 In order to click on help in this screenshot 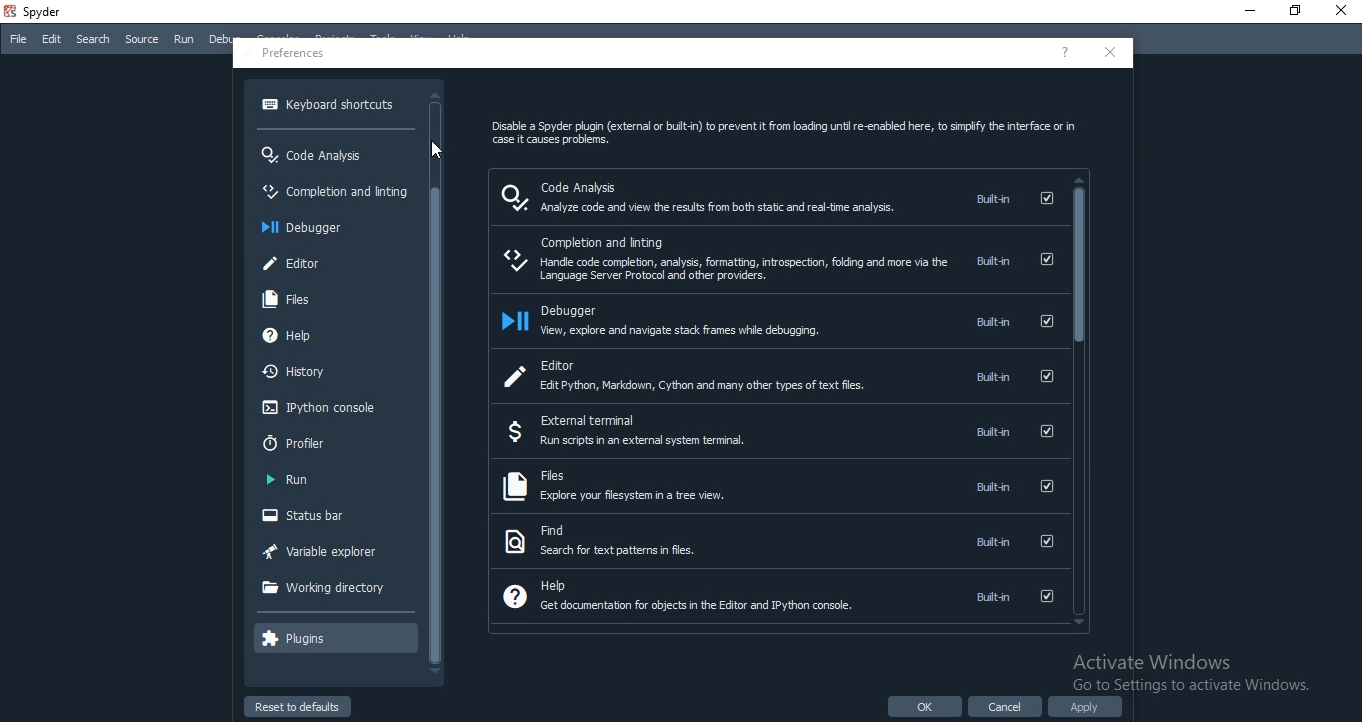, I will do `click(1065, 53)`.